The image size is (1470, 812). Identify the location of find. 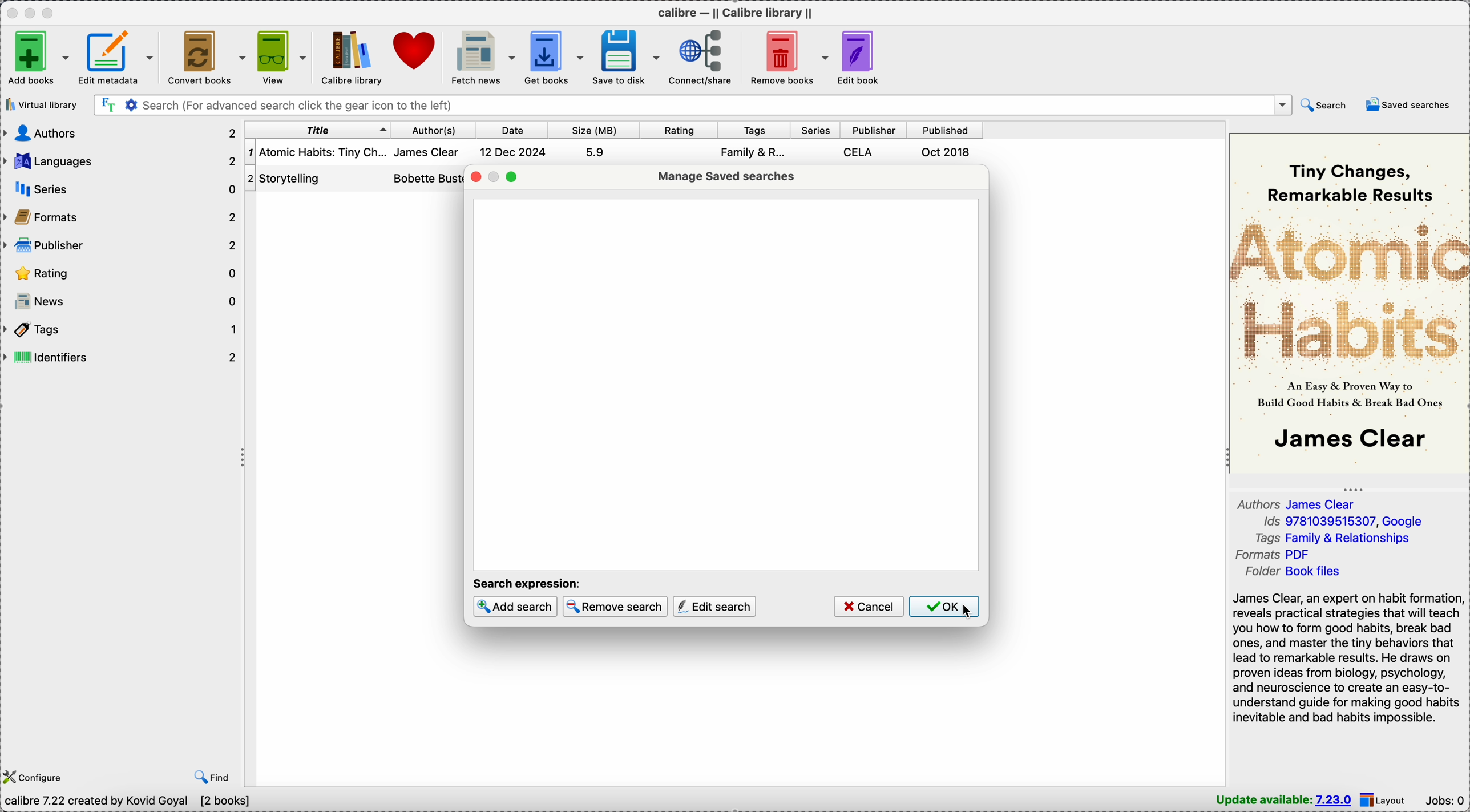
(215, 776).